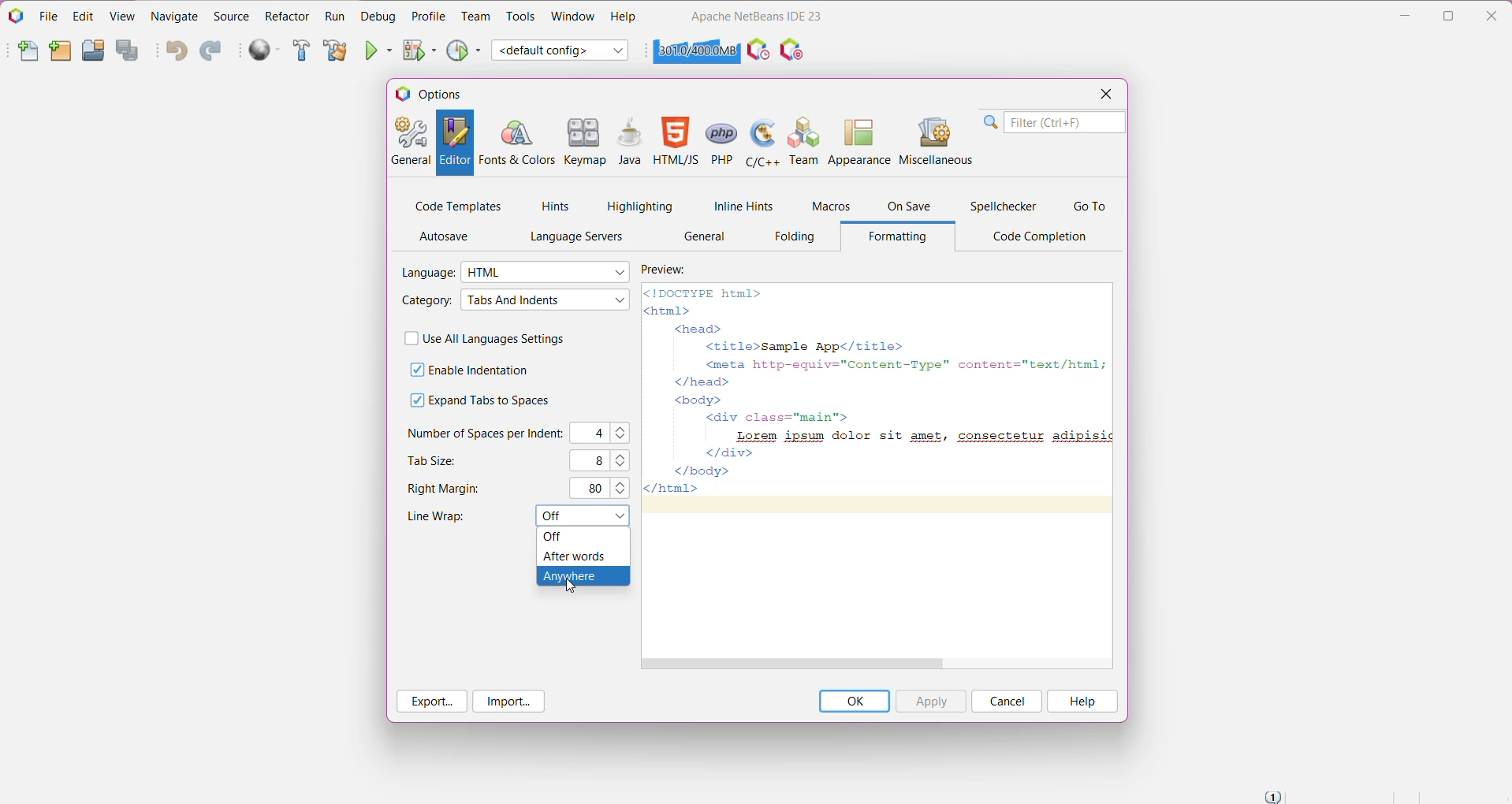  I want to click on Preview, so click(673, 269).